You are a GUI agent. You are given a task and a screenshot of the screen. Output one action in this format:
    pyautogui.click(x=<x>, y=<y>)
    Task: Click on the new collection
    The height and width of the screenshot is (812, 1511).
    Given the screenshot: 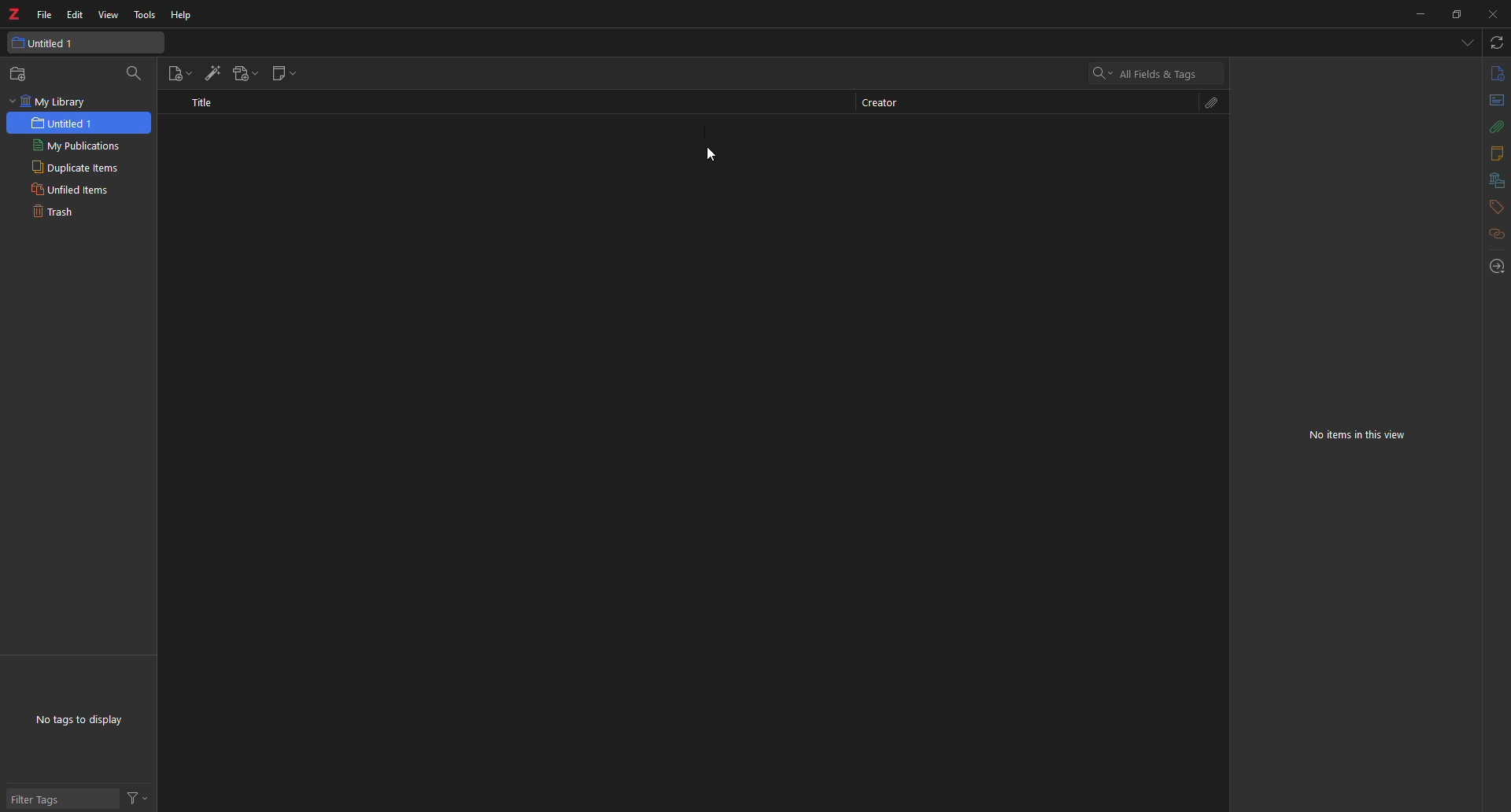 What is the action you would take?
    pyautogui.click(x=21, y=74)
    